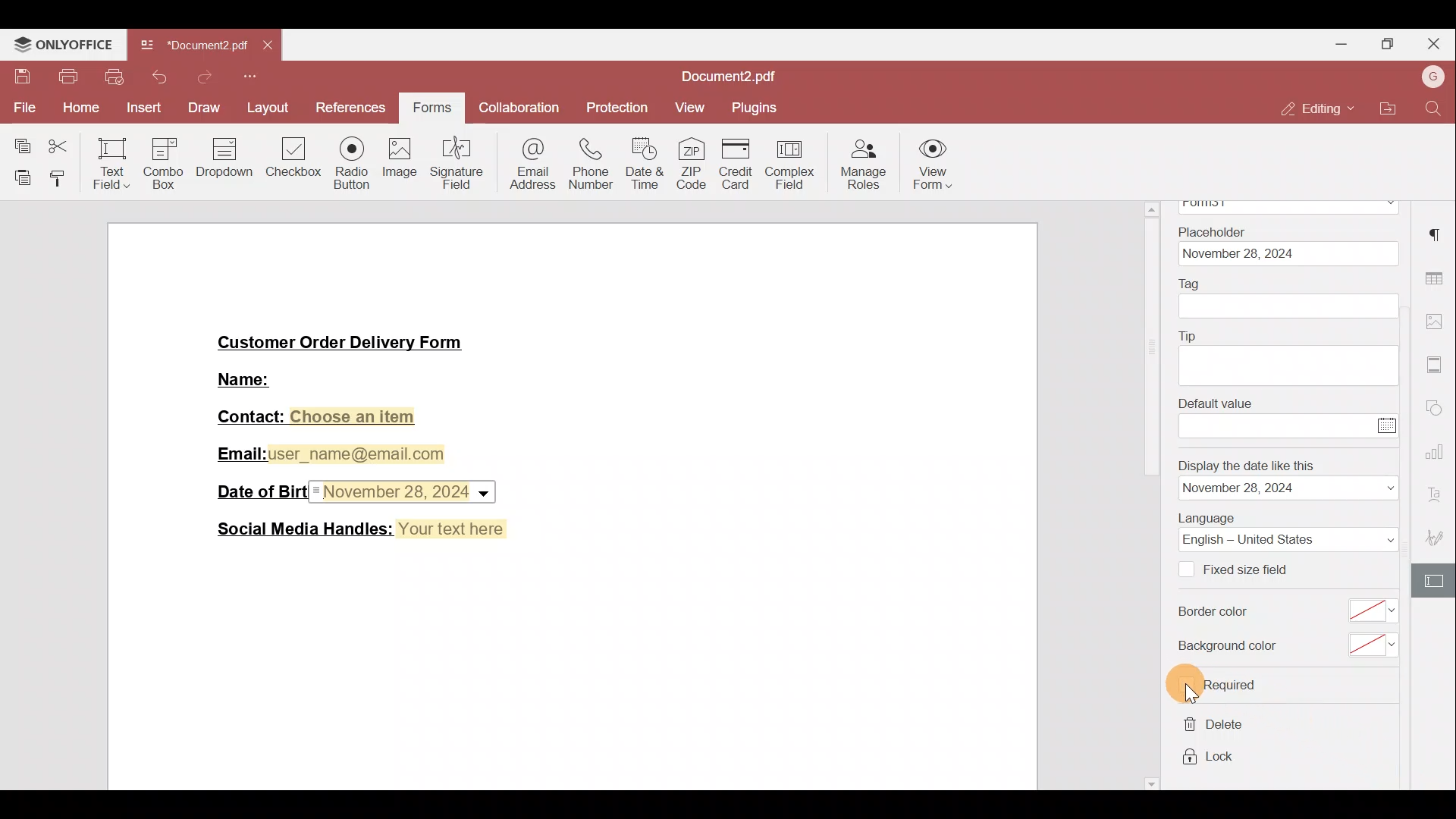 Image resolution: width=1456 pixels, height=819 pixels. I want to click on Date & time field inserted, so click(406, 492).